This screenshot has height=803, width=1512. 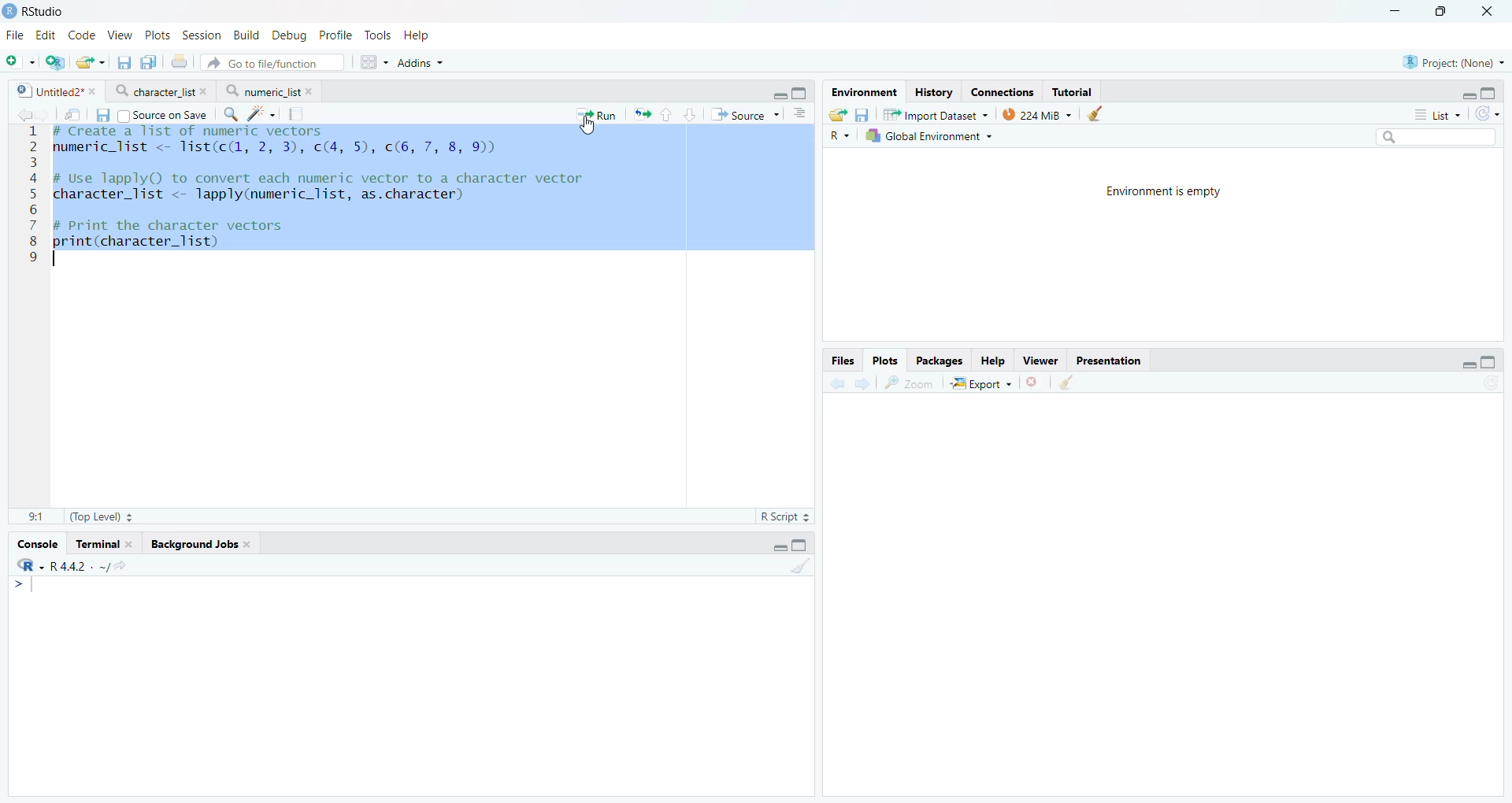 I want to click on Hide, so click(x=778, y=546).